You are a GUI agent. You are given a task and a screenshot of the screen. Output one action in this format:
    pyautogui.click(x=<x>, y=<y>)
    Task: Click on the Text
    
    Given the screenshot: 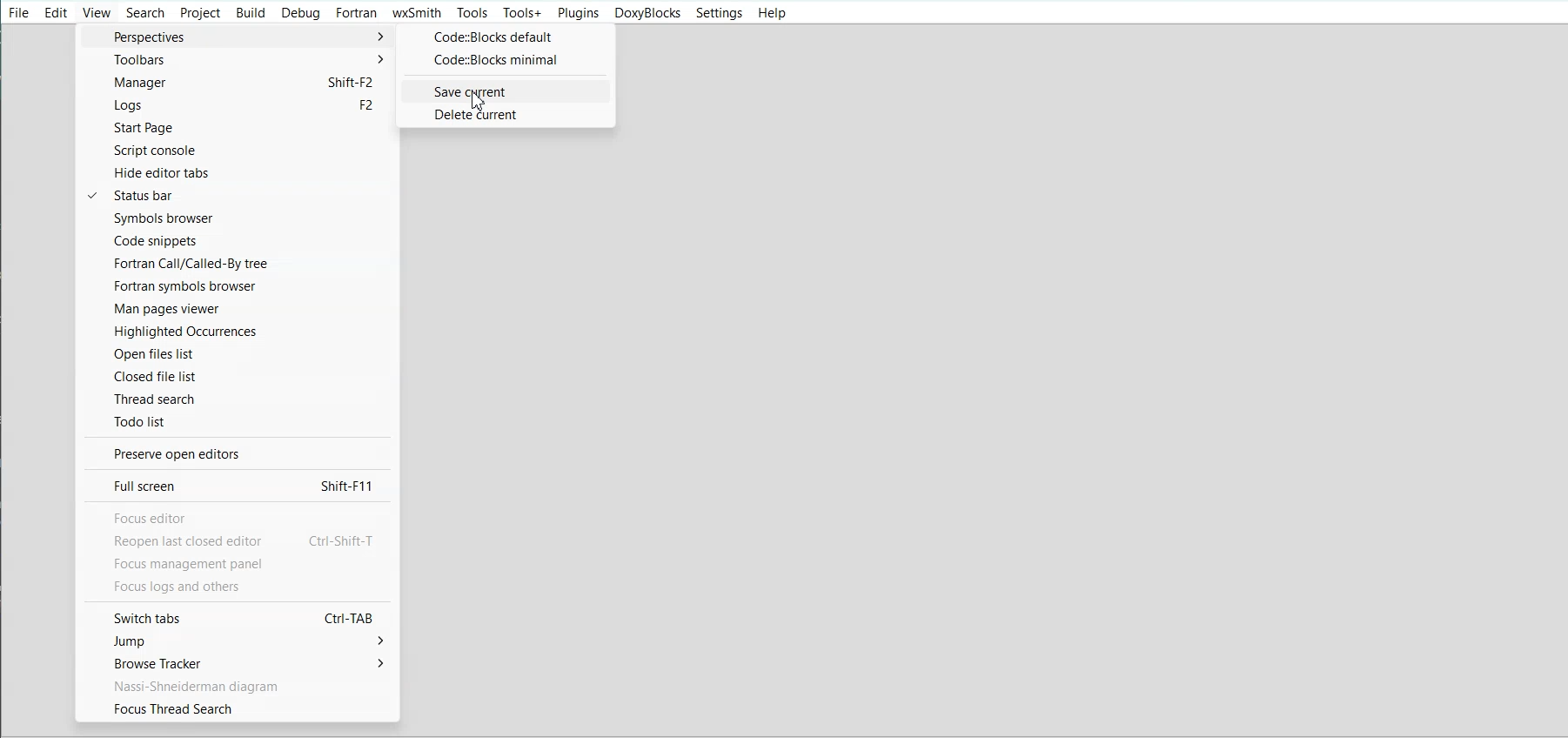 What is the action you would take?
    pyautogui.click(x=192, y=686)
    